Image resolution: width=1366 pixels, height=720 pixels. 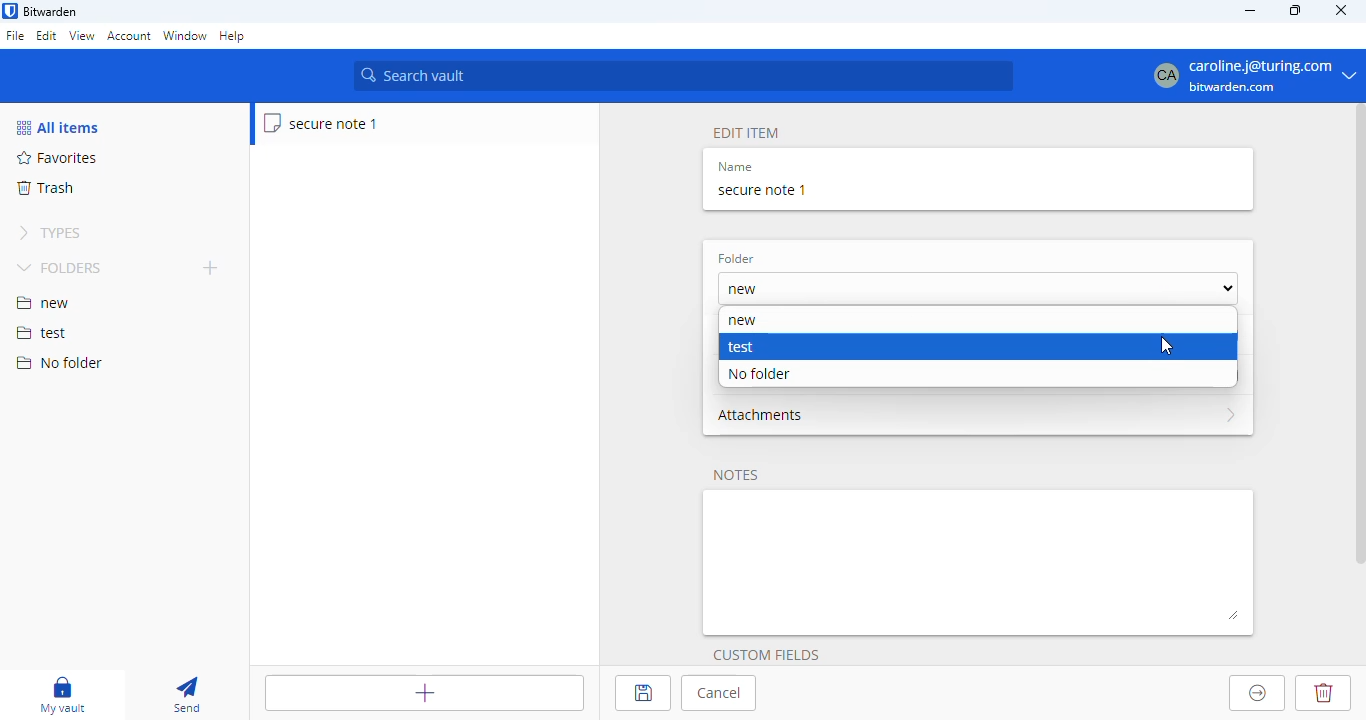 What do you see at coordinates (187, 696) in the screenshot?
I see `send` at bounding box center [187, 696].